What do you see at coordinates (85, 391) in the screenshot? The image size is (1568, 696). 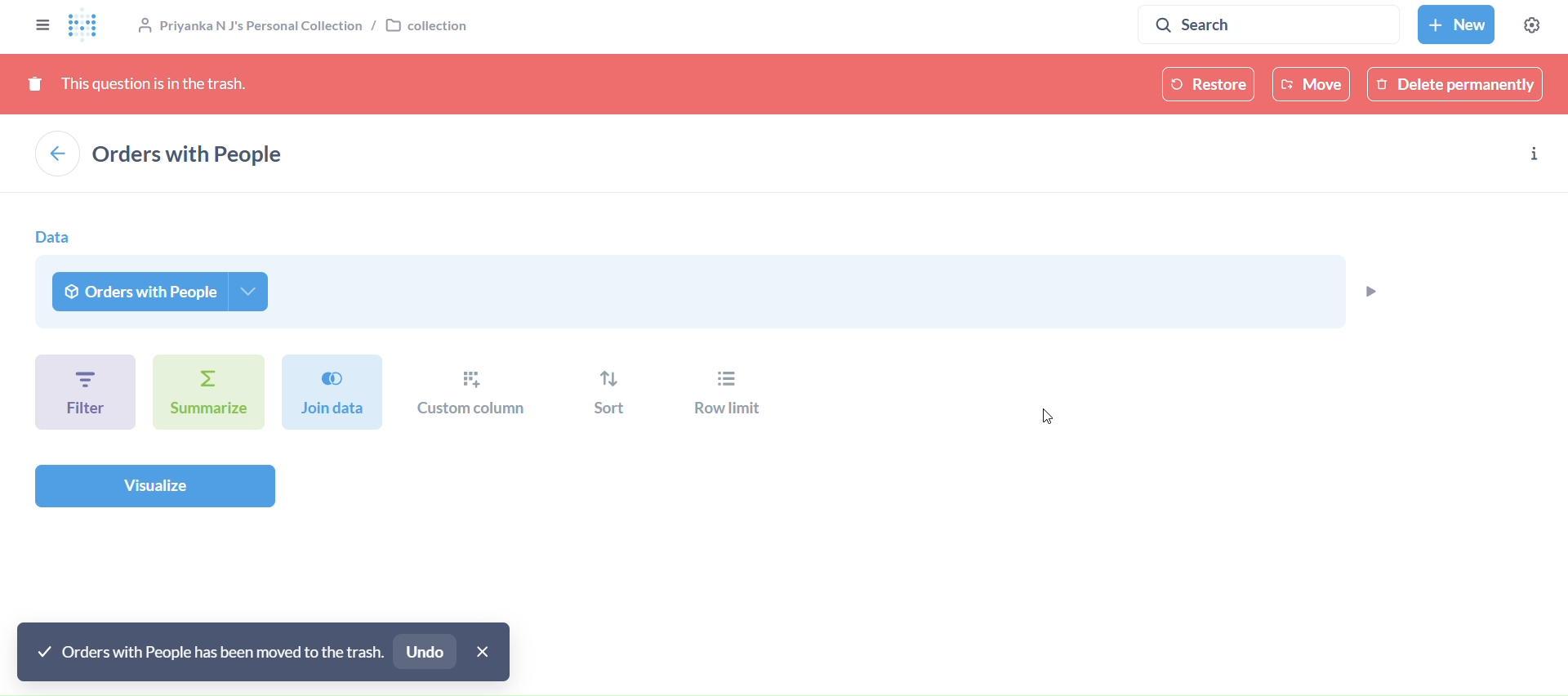 I see `filter` at bounding box center [85, 391].